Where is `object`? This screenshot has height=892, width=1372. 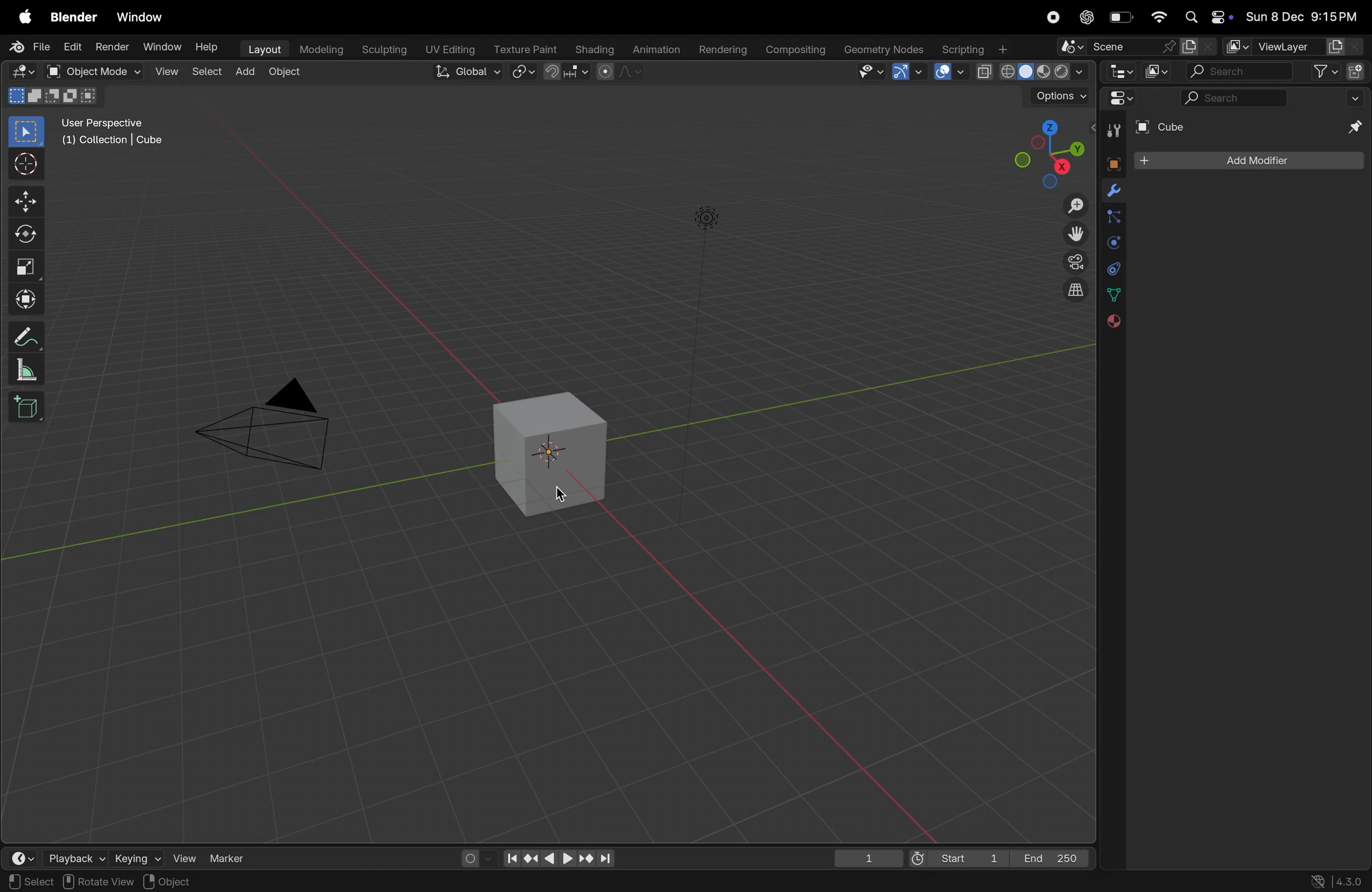 object is located at coordinates (1110, 162).